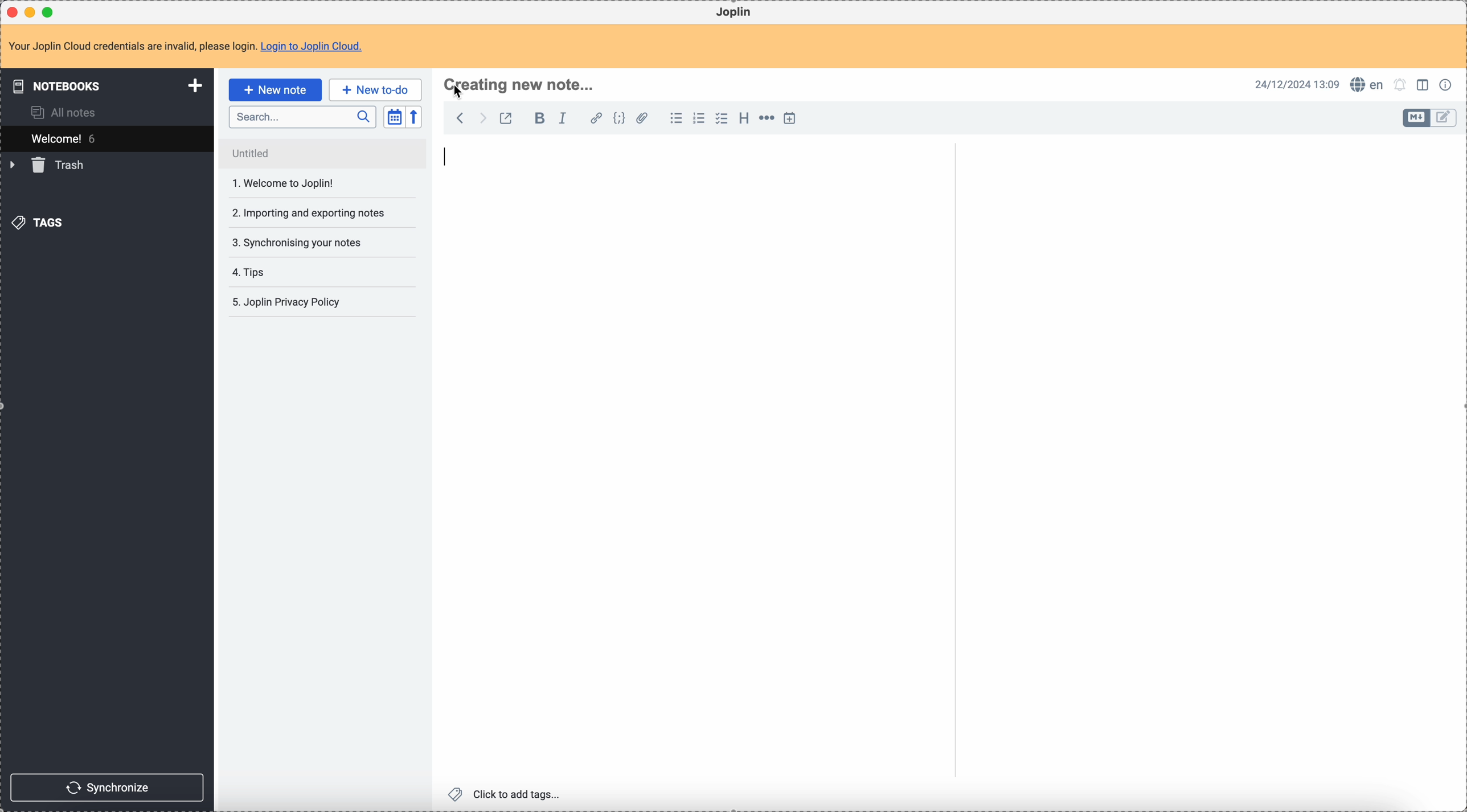  Describe the element at coordinates (1417, 118) in the screenshot. I see `toggle edit layout` at that location.